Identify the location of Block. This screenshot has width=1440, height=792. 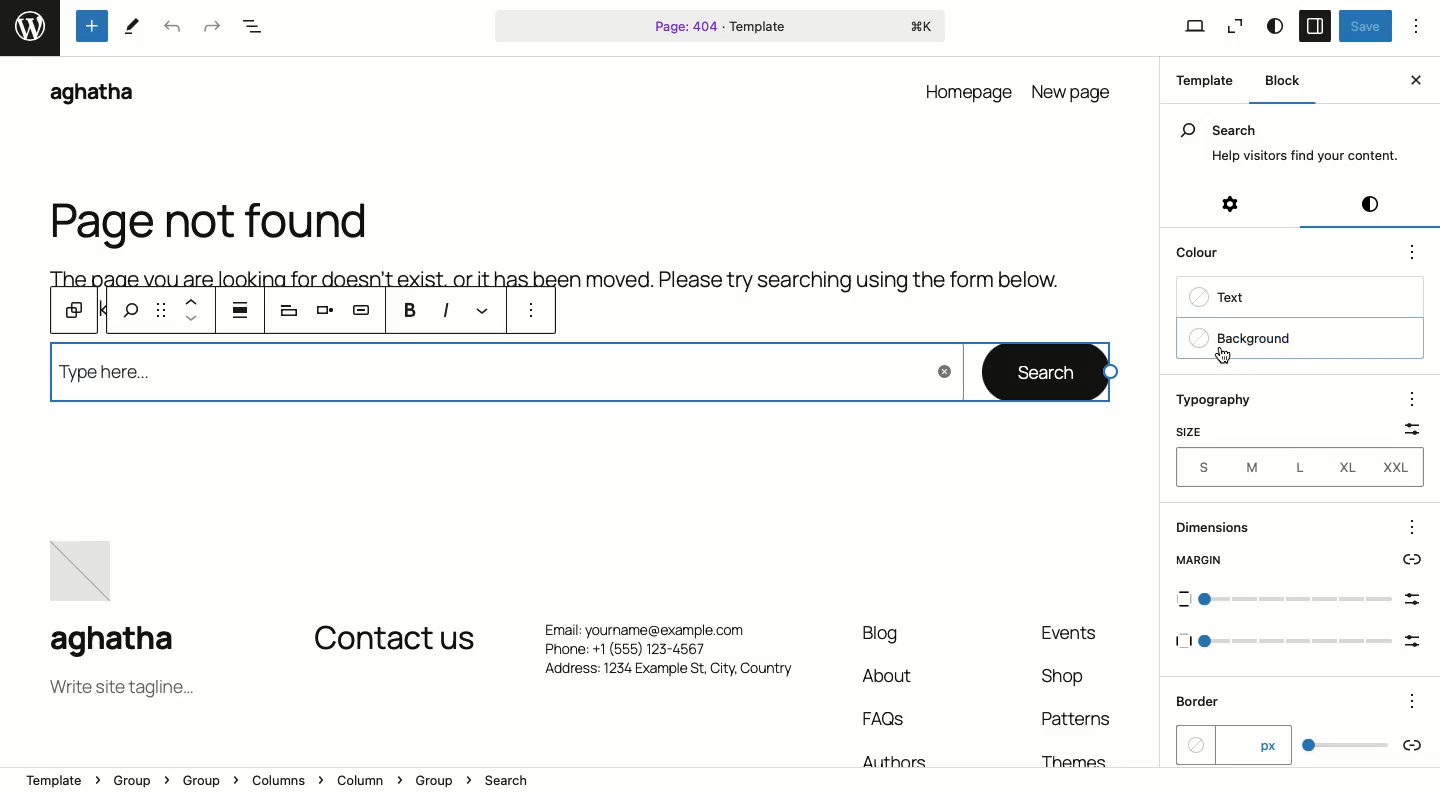
(1277, 80).